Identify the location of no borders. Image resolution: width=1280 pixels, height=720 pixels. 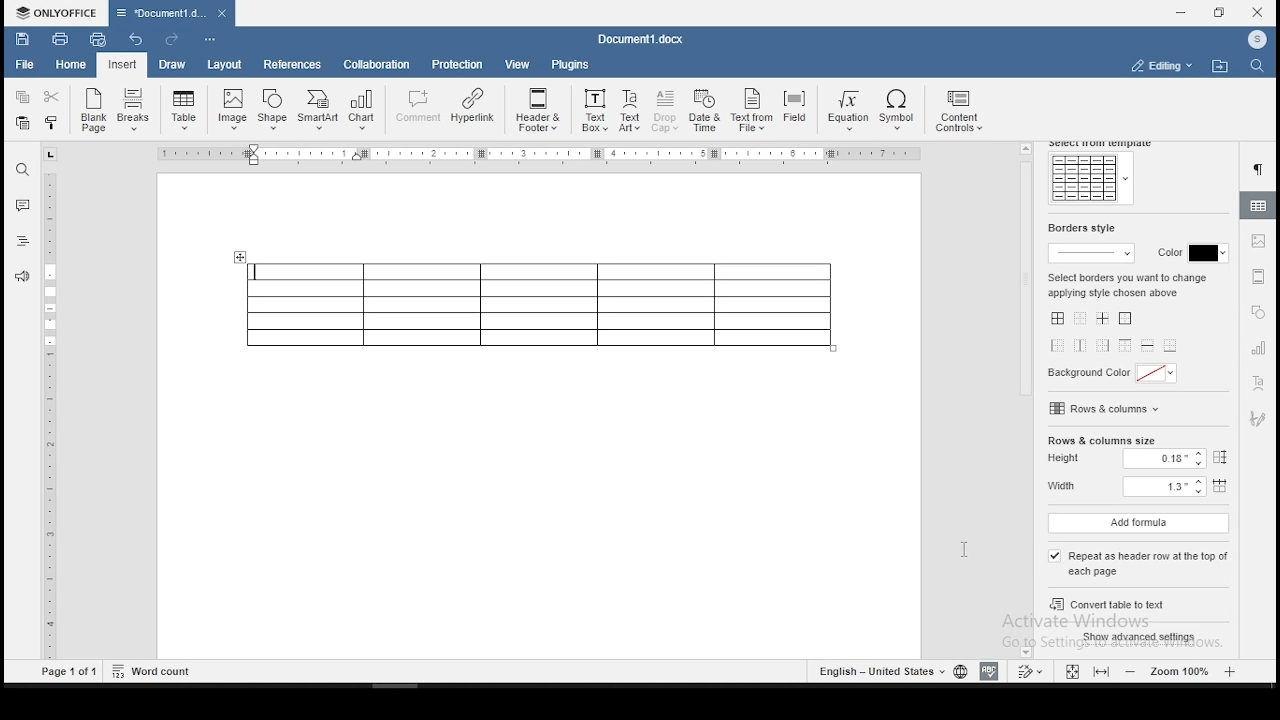
(1081, 320).